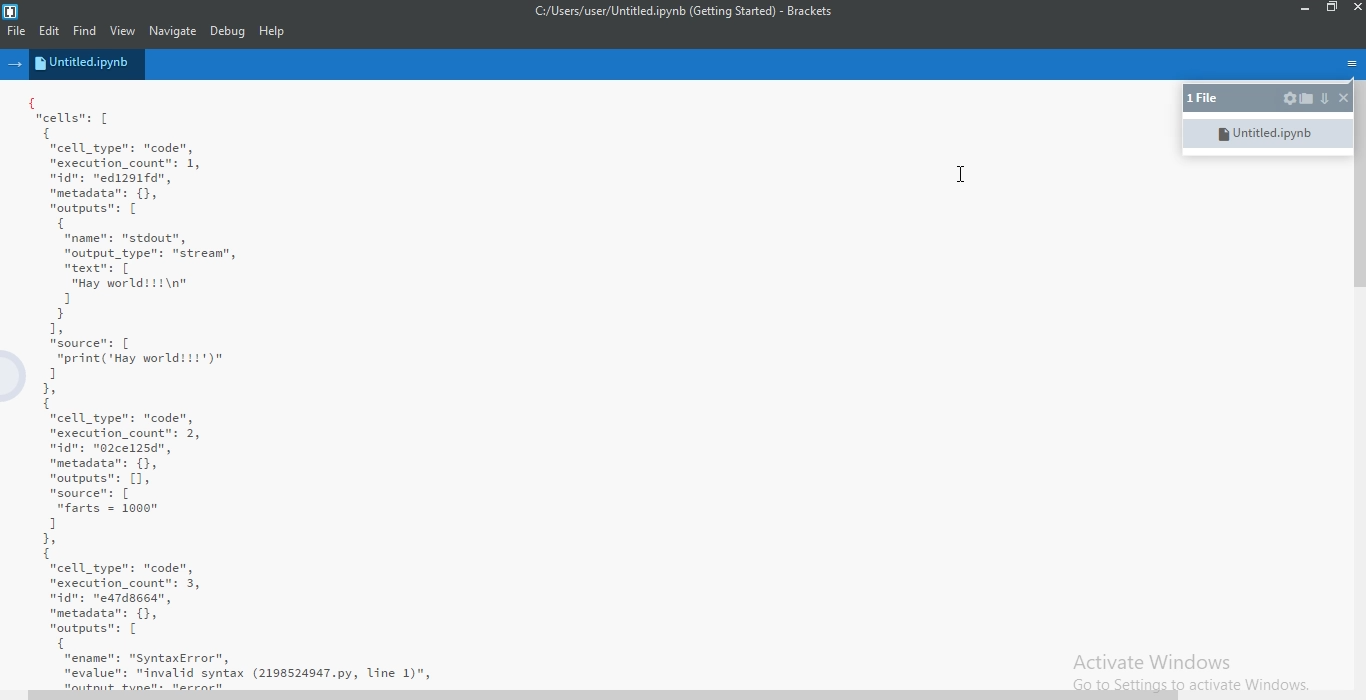  Describe the element at coordinates (16, 32) in the screenshot. I see `File` at that location.